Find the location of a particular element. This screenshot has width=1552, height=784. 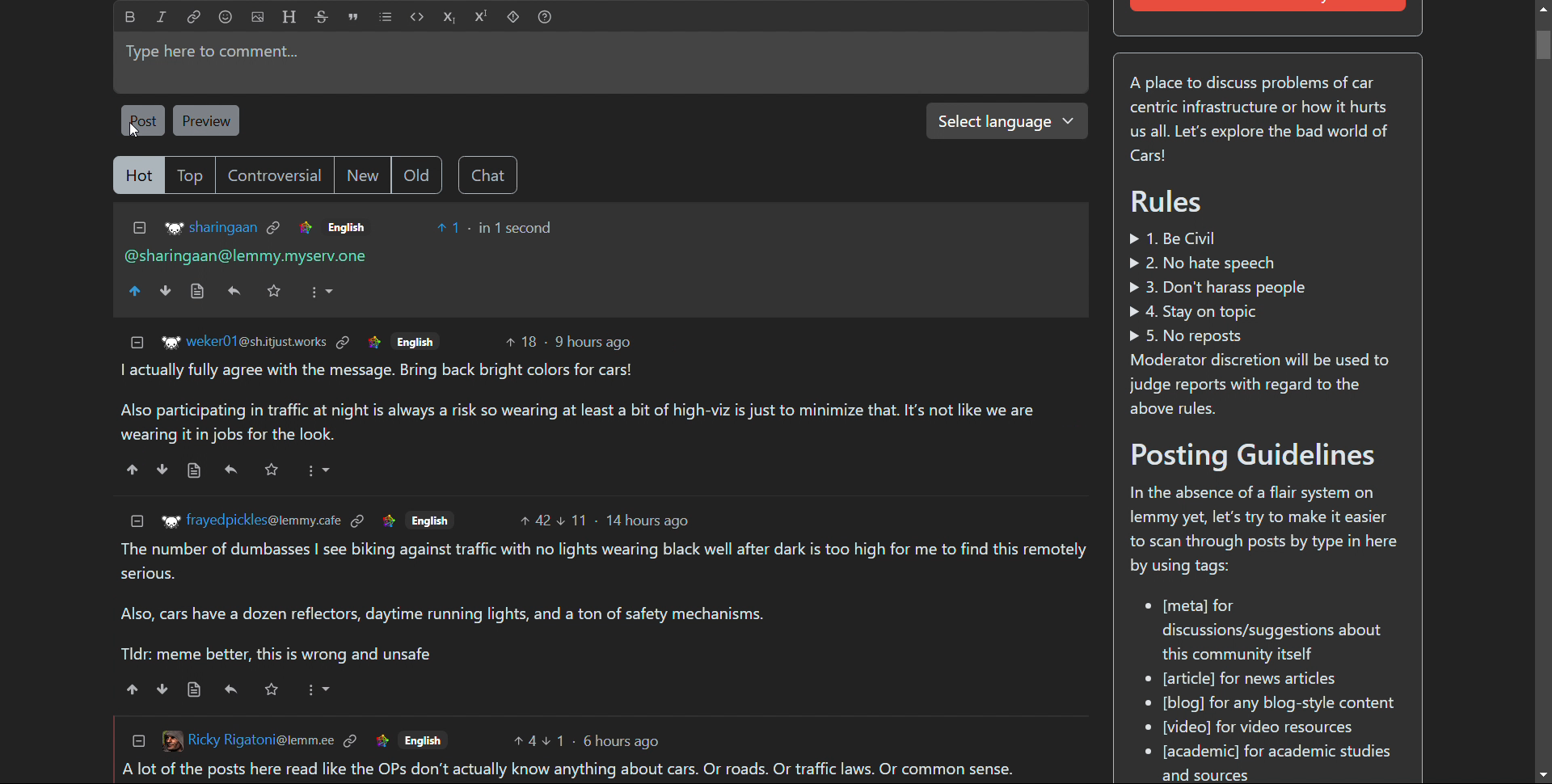

More is located at coordinates (317, 689).